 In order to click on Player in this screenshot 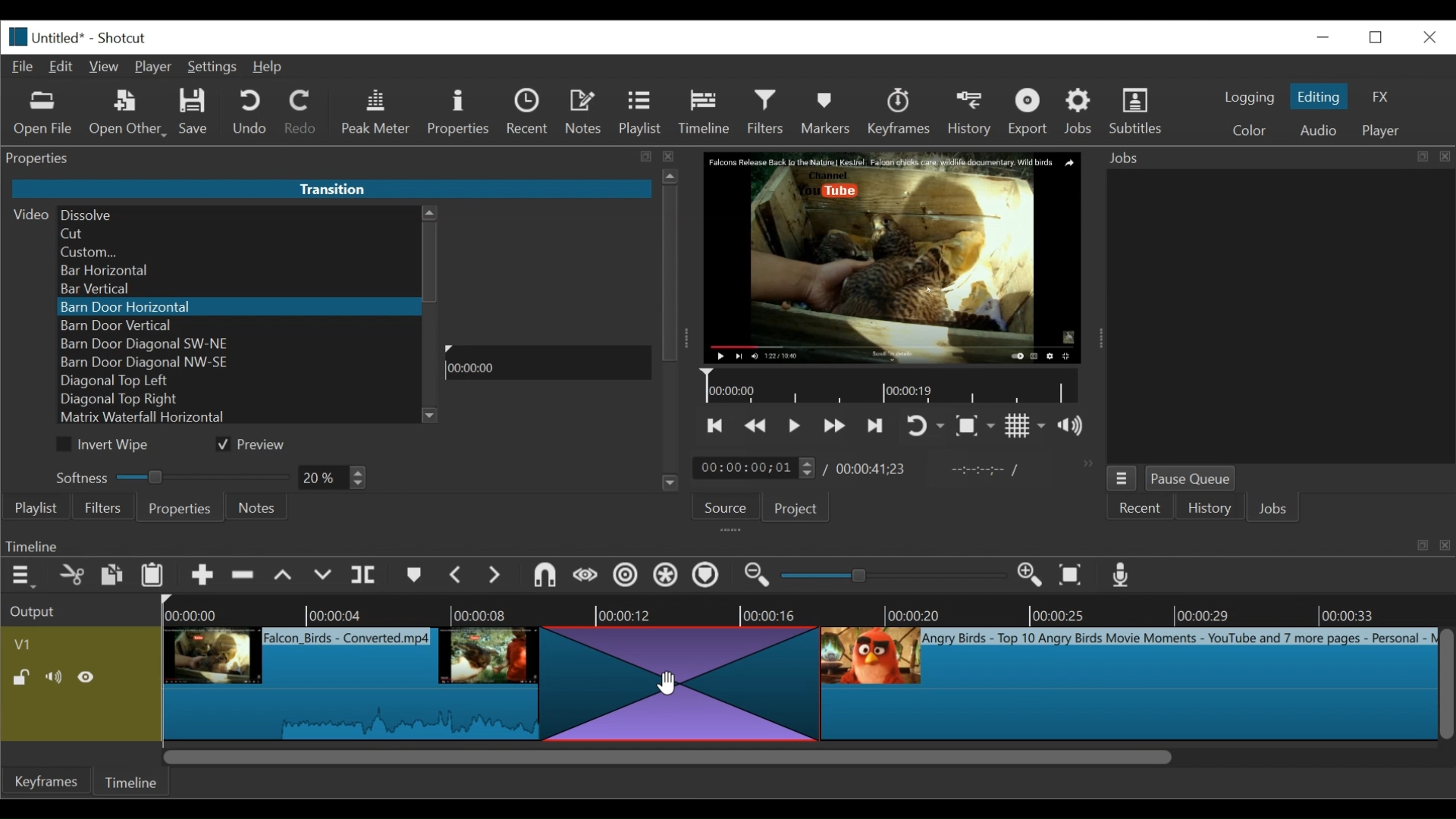, I will do `click(155, 67)`.